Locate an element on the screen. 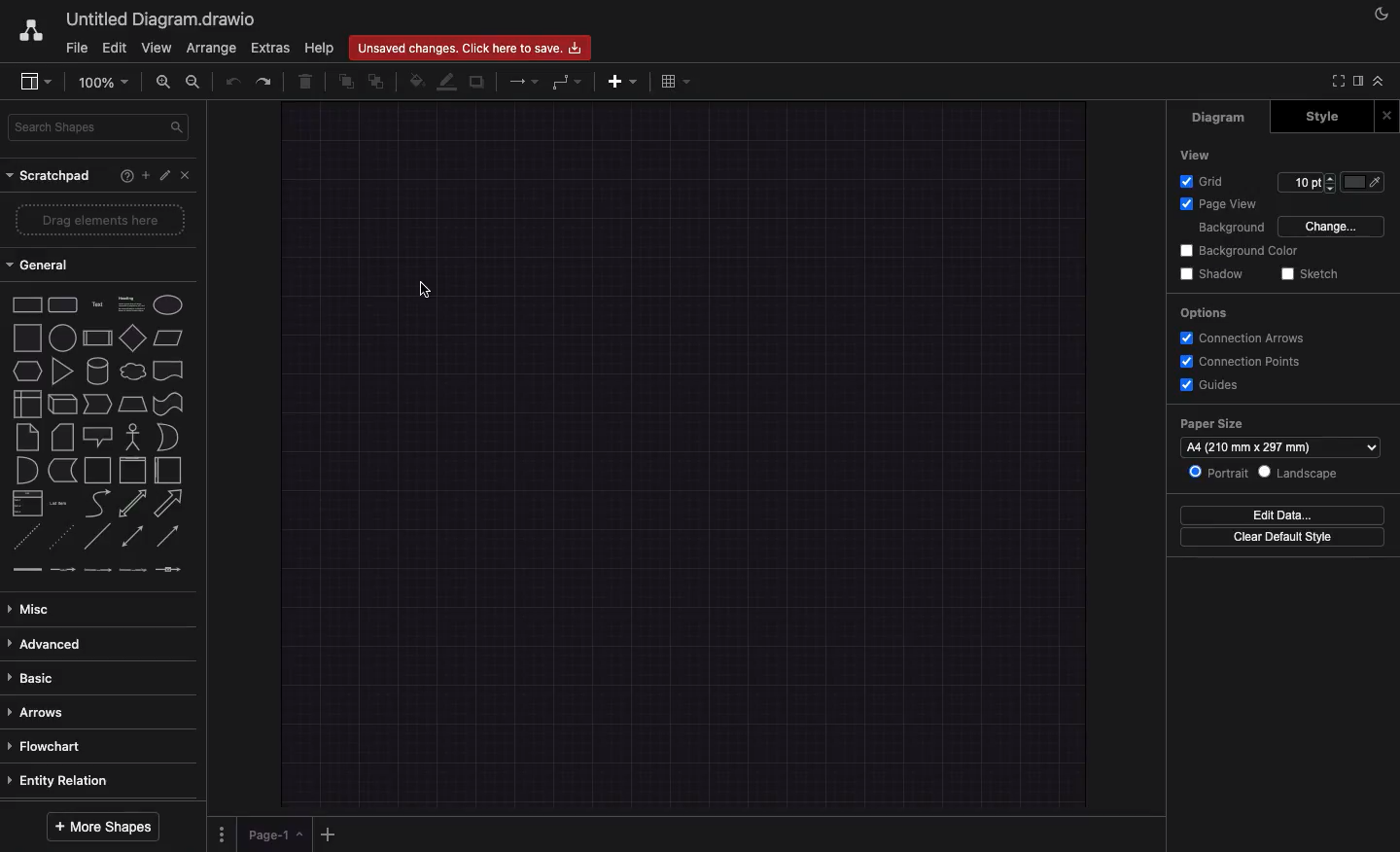 Image resolution: width=1400 pixels, height=852 pixels. text is located at coordinates (97, 305).